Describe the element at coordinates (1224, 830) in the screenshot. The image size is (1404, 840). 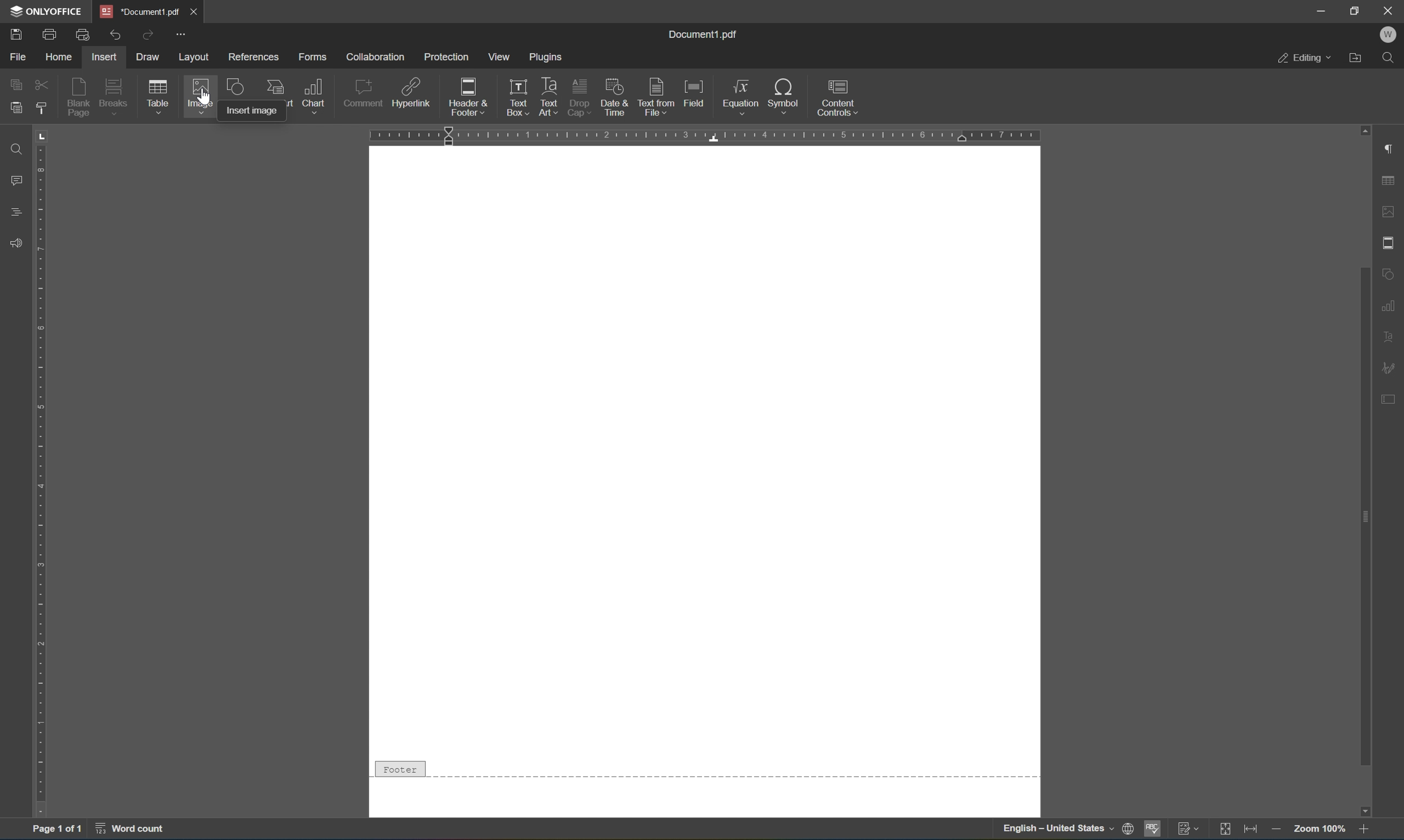
I see `fit to slide` at that location.